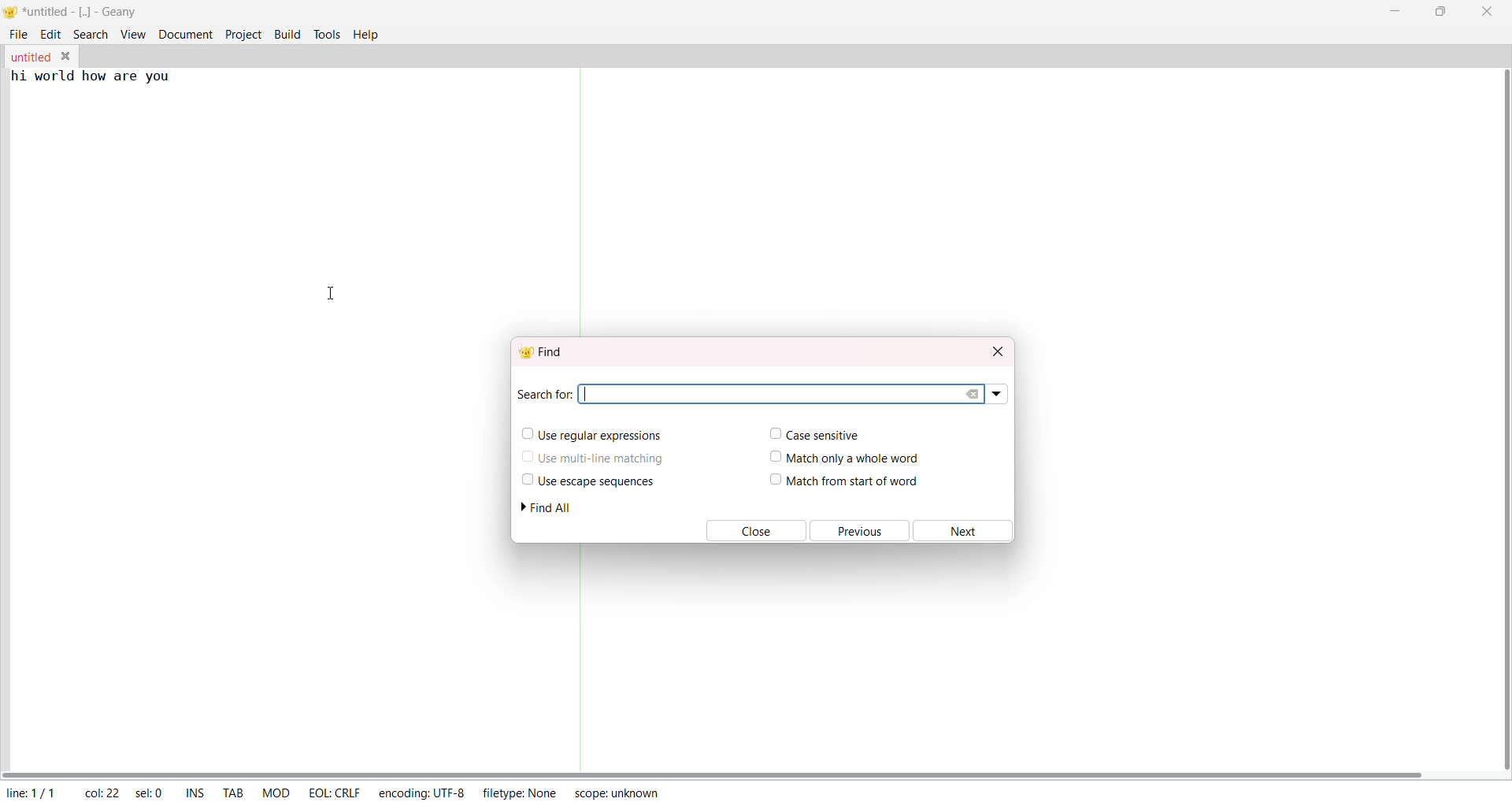 The height and width of the screenshot is (802, 1512). What do you see at coordinates (545, 392) in the screenshot?
I see `search for` at bounding box center [545, 392].